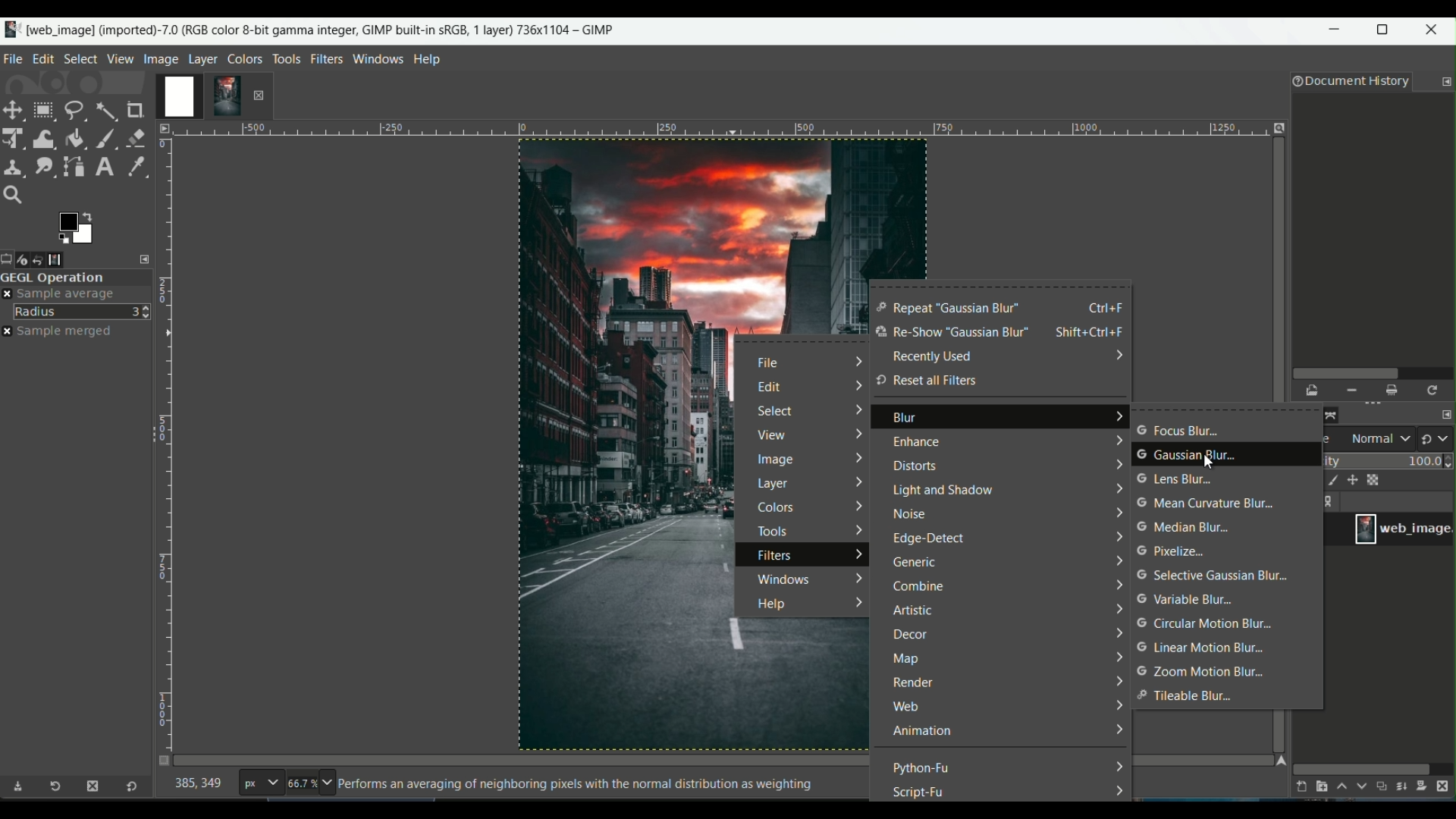 The width and height of the screenshot is (1456, 819). Describe the element at coordinates (105, 137) in the screenshot. I see `paintbrush tool` at that location.